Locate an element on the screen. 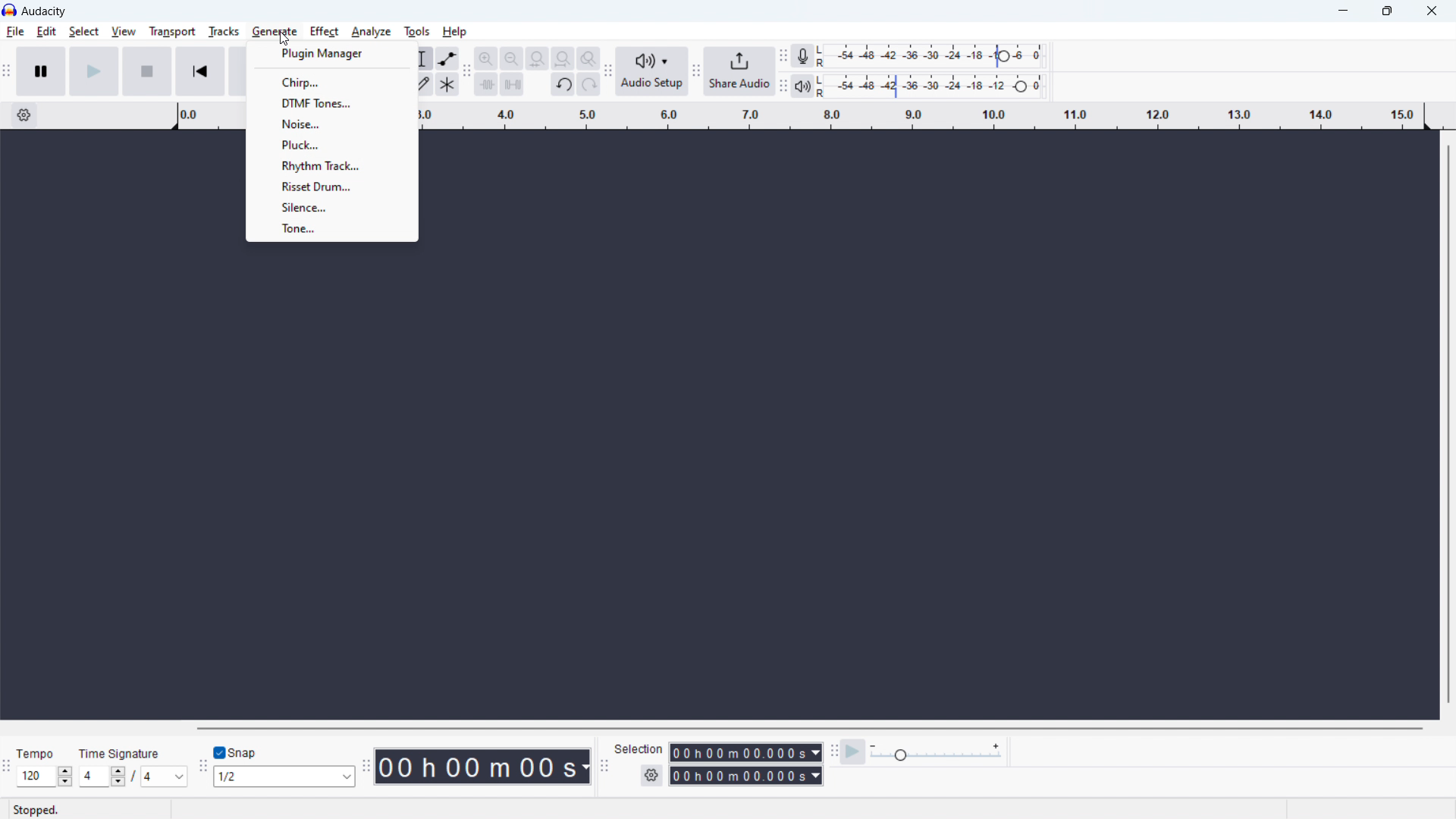 The image size is (1456, 819). toggle zoom is located at coordinates (589, 58).